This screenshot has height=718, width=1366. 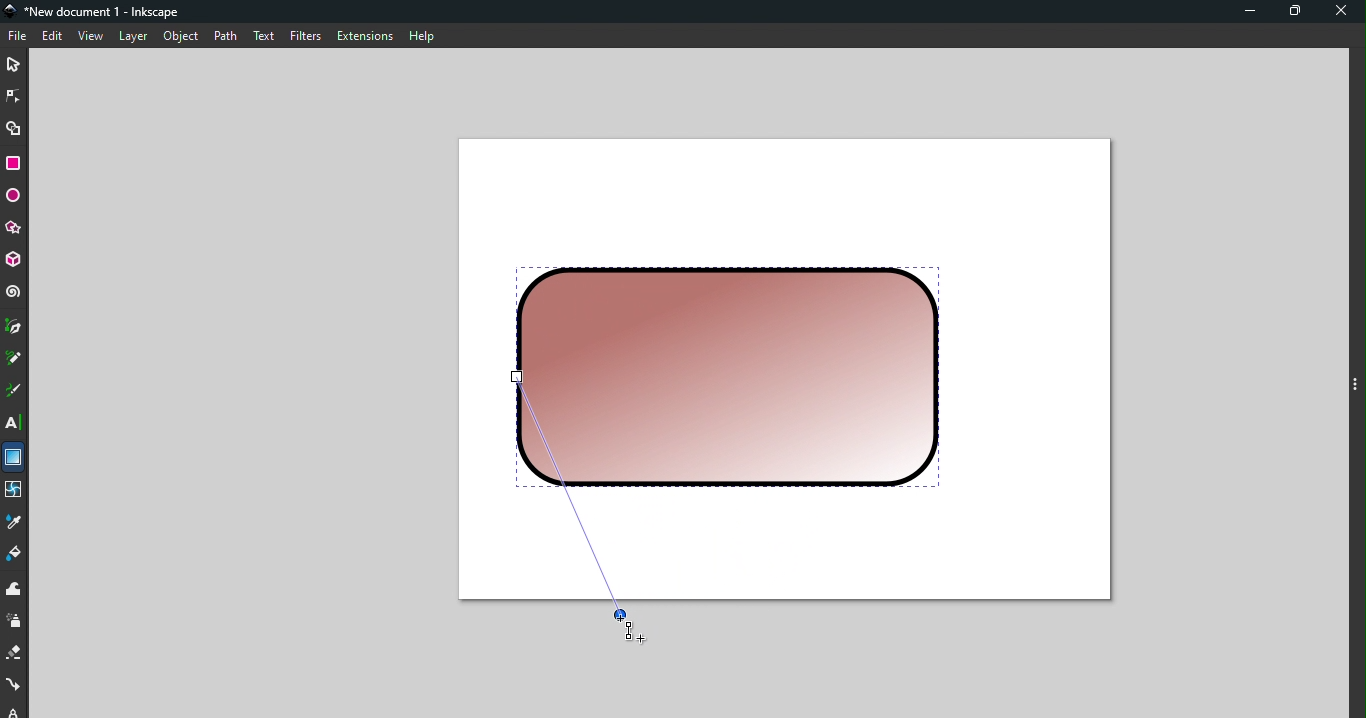 I want to click on File, so click(x=18, y=36).